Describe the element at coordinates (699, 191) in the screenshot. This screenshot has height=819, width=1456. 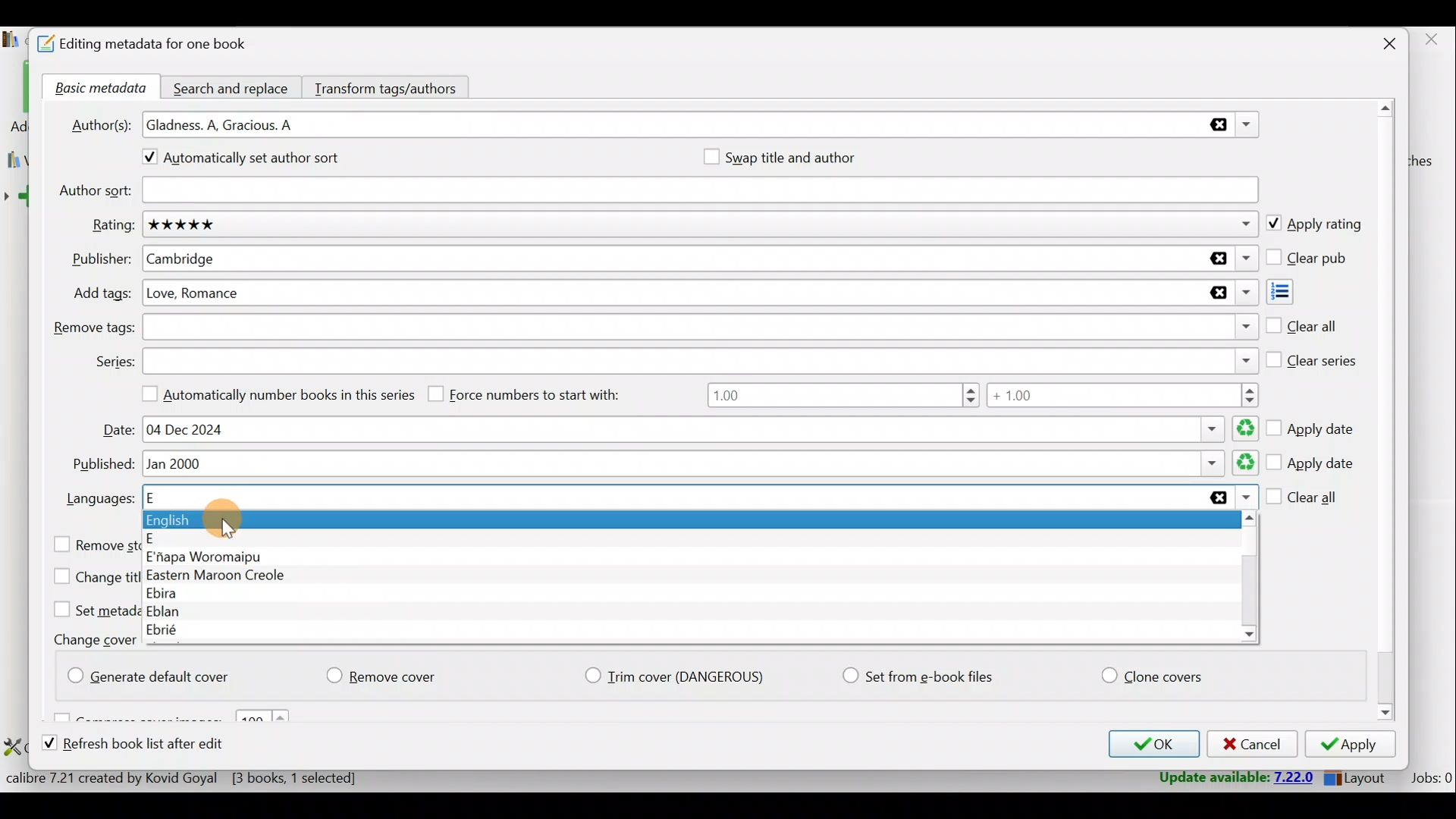
I see `Author sort` at that location.